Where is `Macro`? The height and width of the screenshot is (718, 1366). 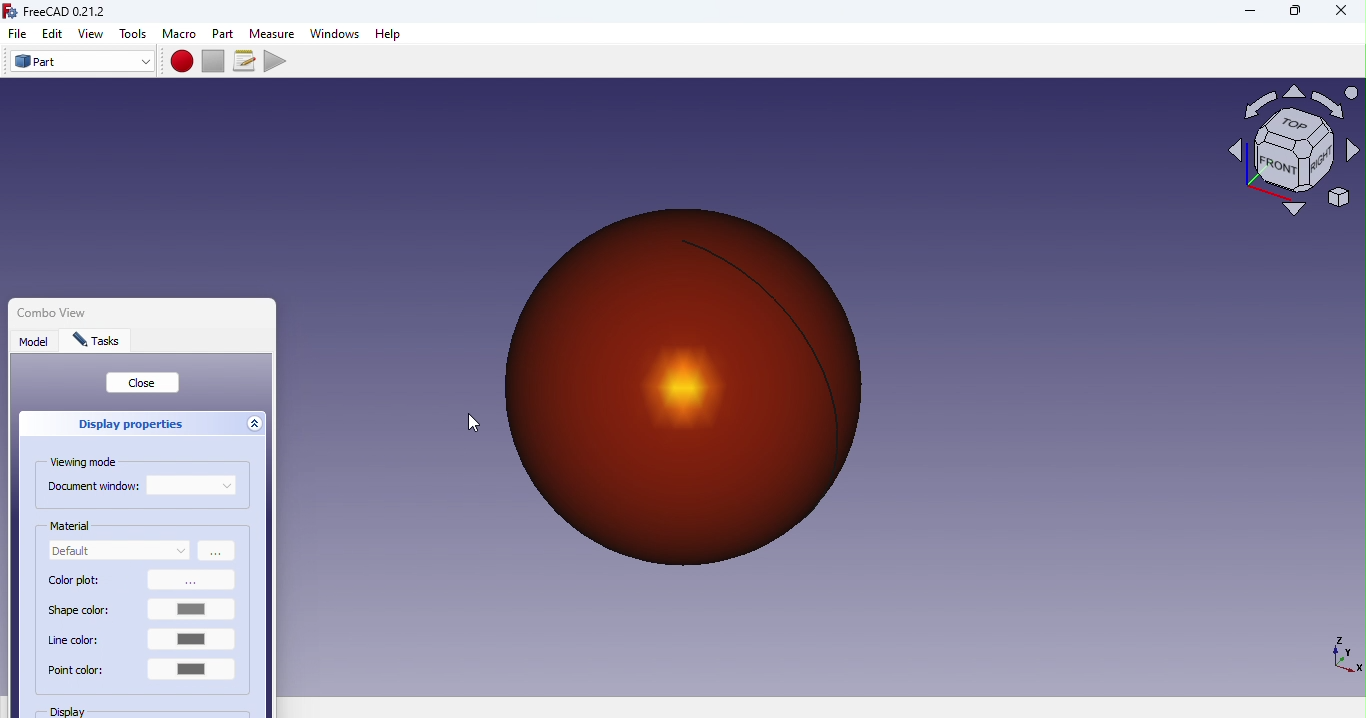
Macro is located at coordinates (179, 34).